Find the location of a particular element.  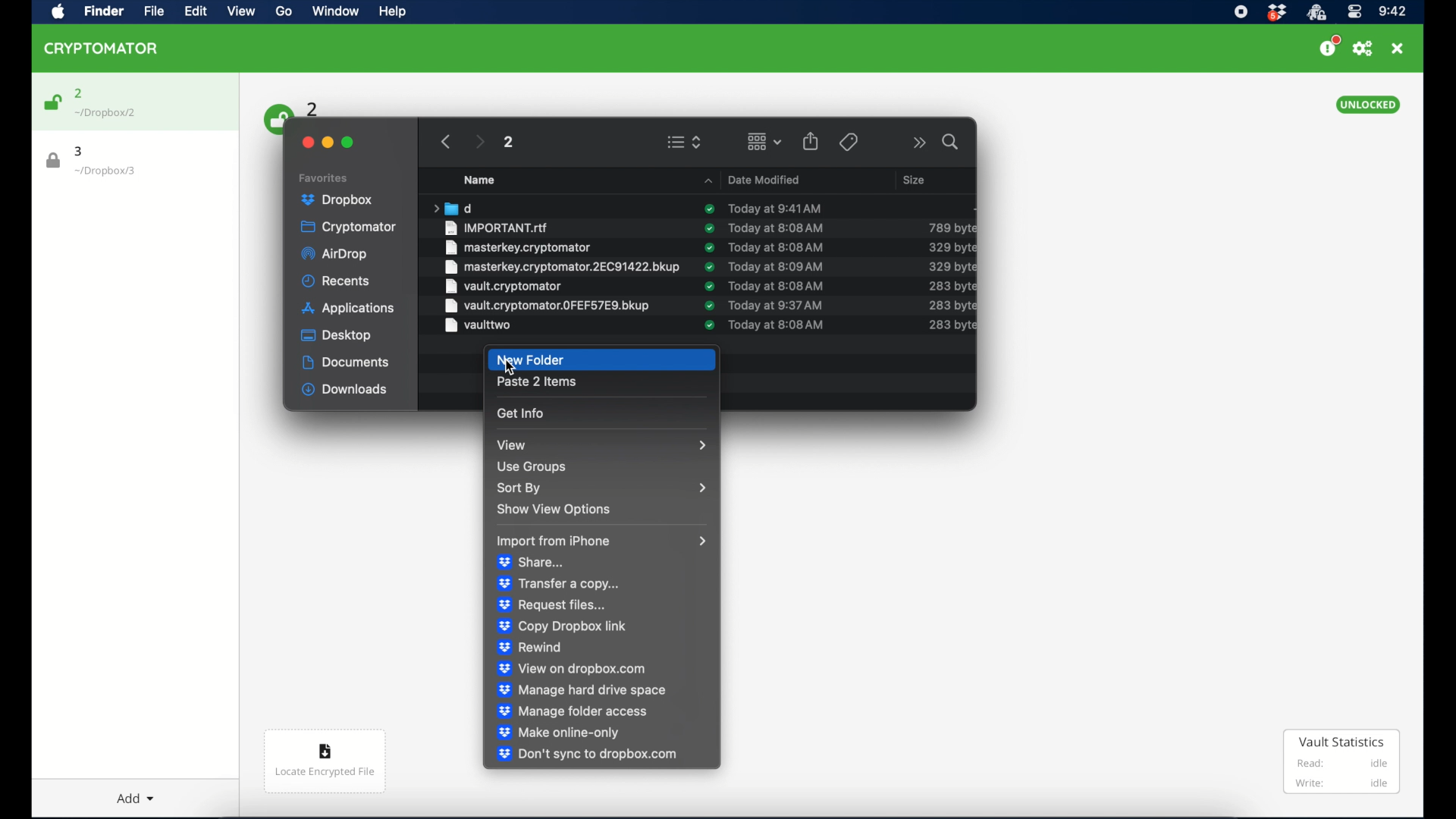

go is located at coordinates (282, 11).